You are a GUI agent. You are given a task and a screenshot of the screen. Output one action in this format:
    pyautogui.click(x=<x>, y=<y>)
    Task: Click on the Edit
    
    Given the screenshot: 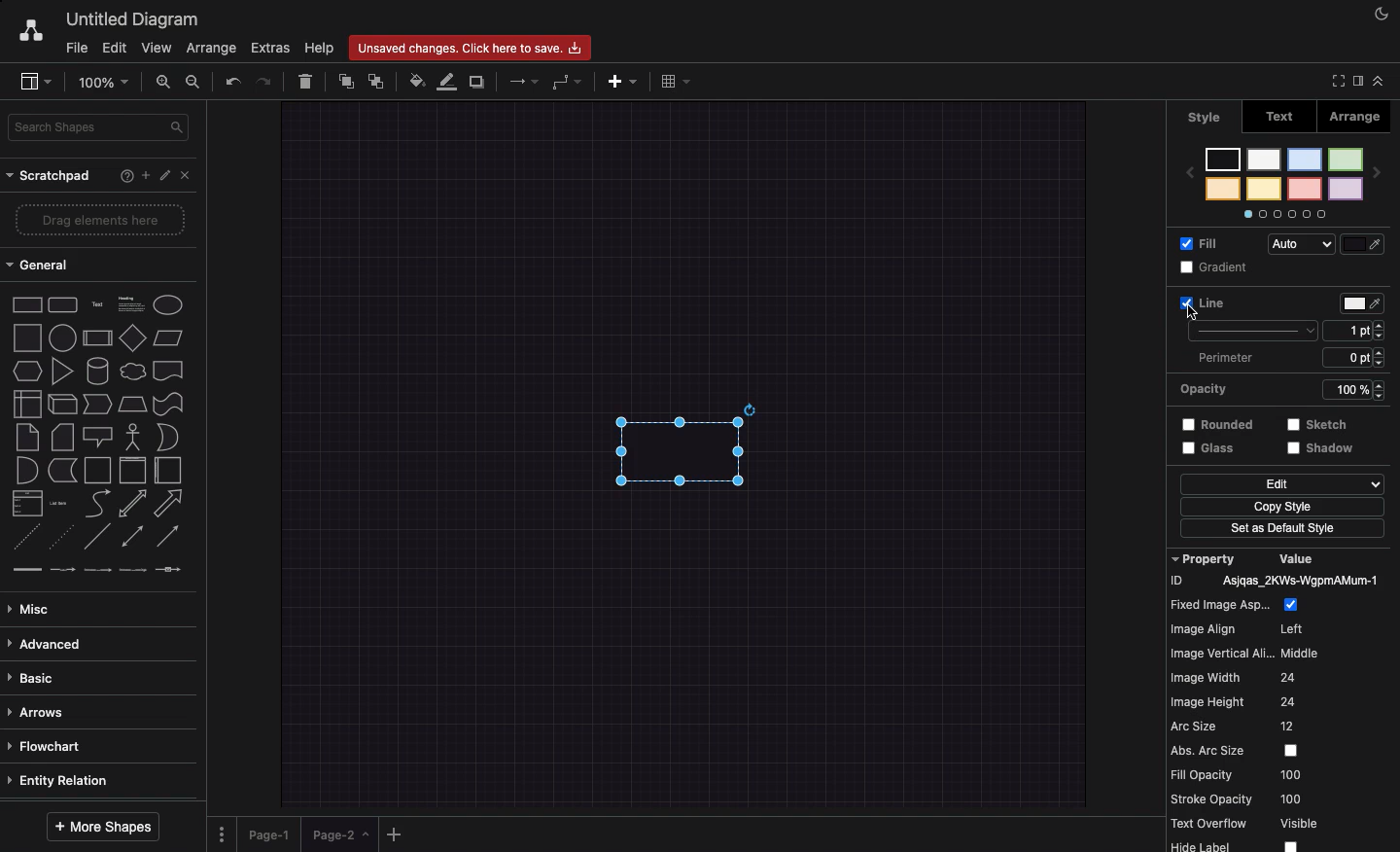 What is the action you would take?
    pyautogui.click(x=114, y=47)
    